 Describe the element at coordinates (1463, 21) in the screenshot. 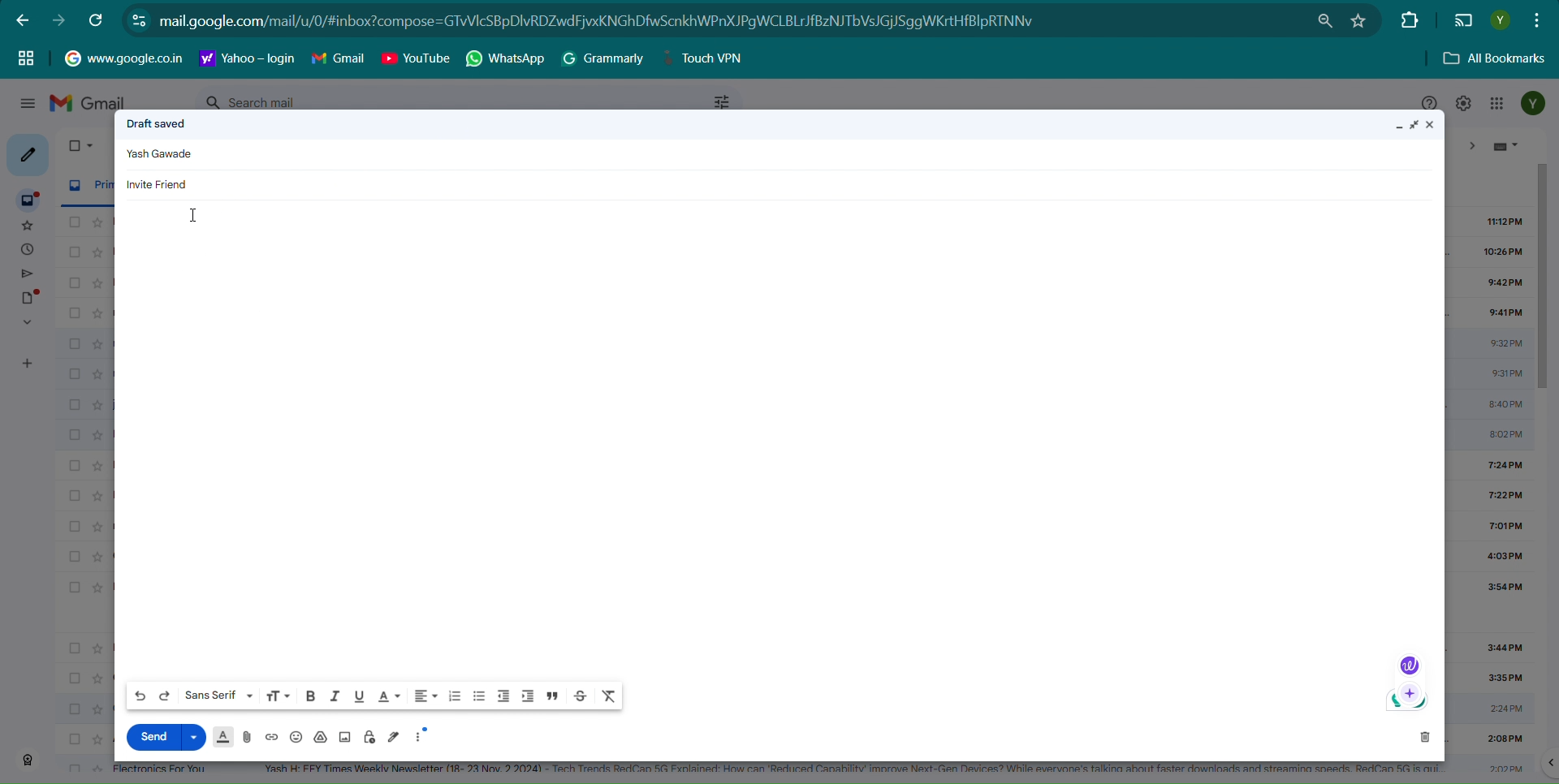

I see `Display on another screen` at that location.